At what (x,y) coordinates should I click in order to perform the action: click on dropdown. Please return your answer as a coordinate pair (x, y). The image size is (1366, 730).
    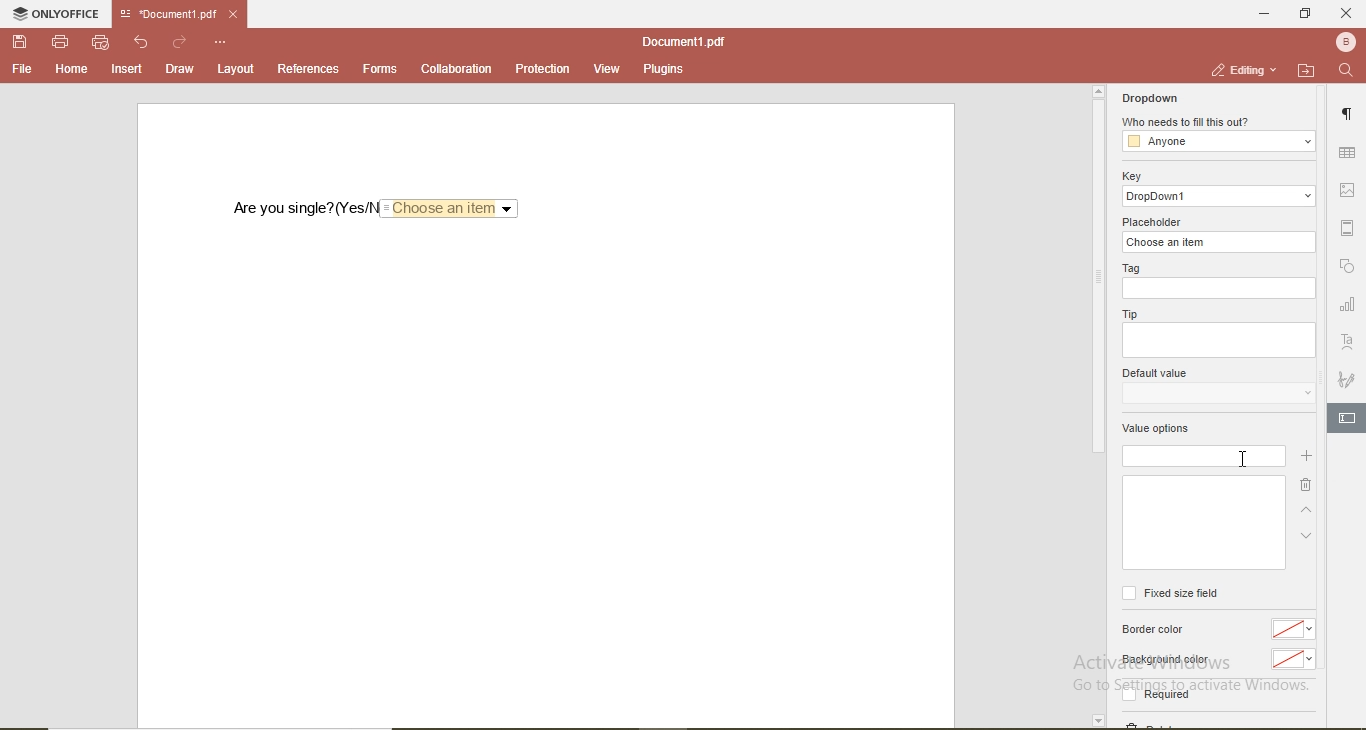
    Looking at the image, I should click on (1151, 99).